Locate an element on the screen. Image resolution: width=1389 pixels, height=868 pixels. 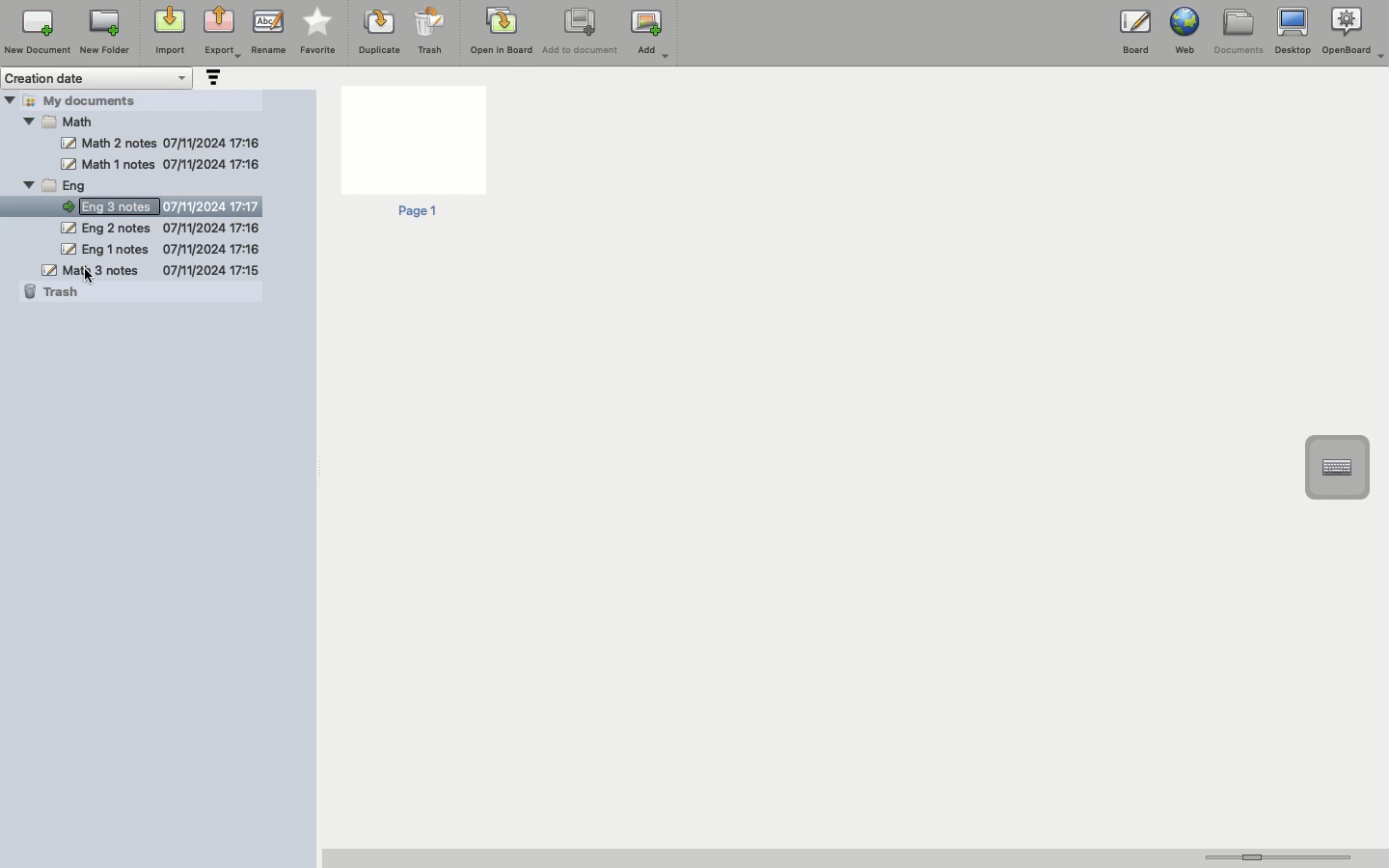
Creation date is located at coordinates (98, 78).